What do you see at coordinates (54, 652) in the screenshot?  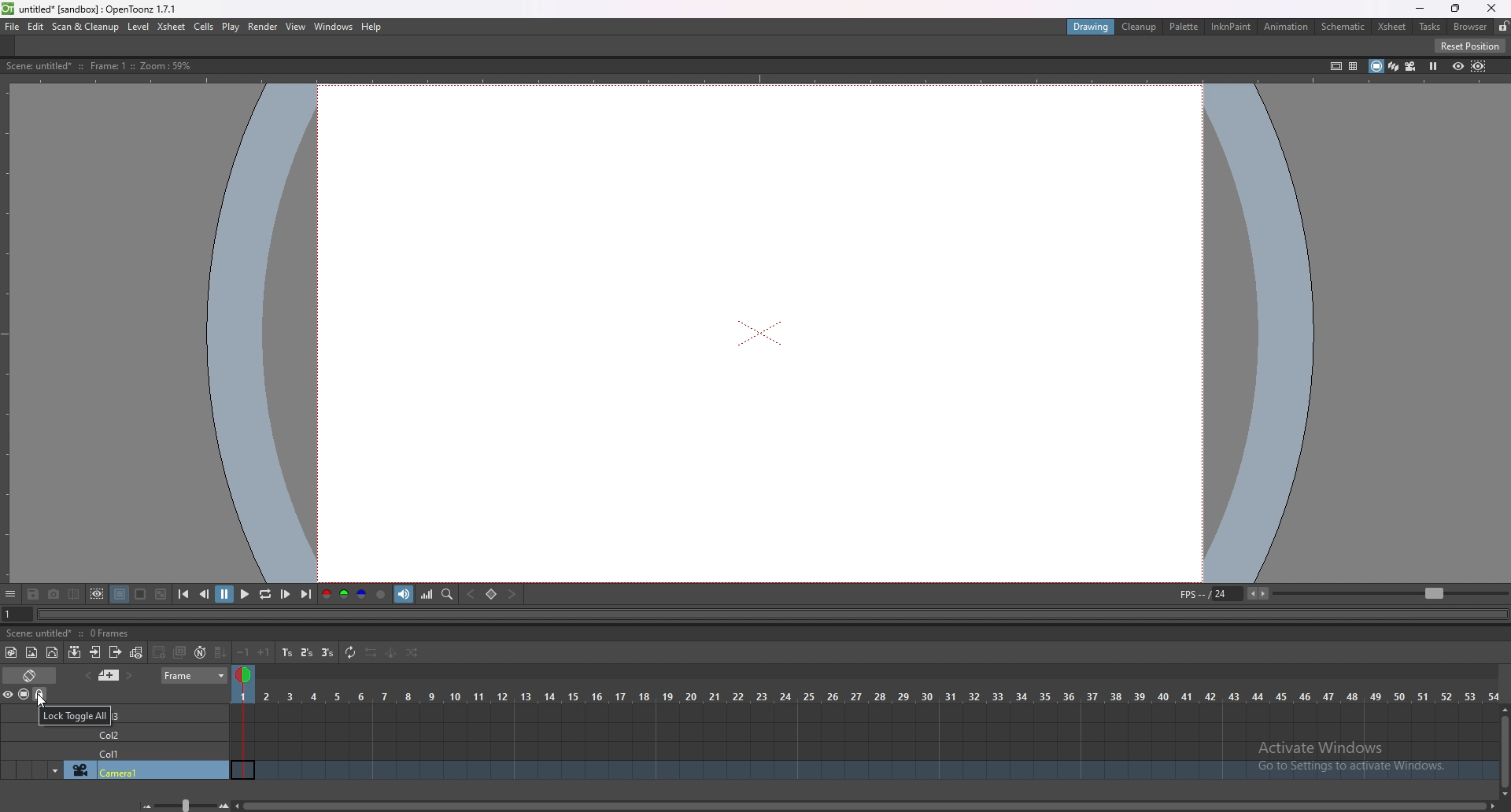 I see `new vector level` at bounding box center [54, 652].